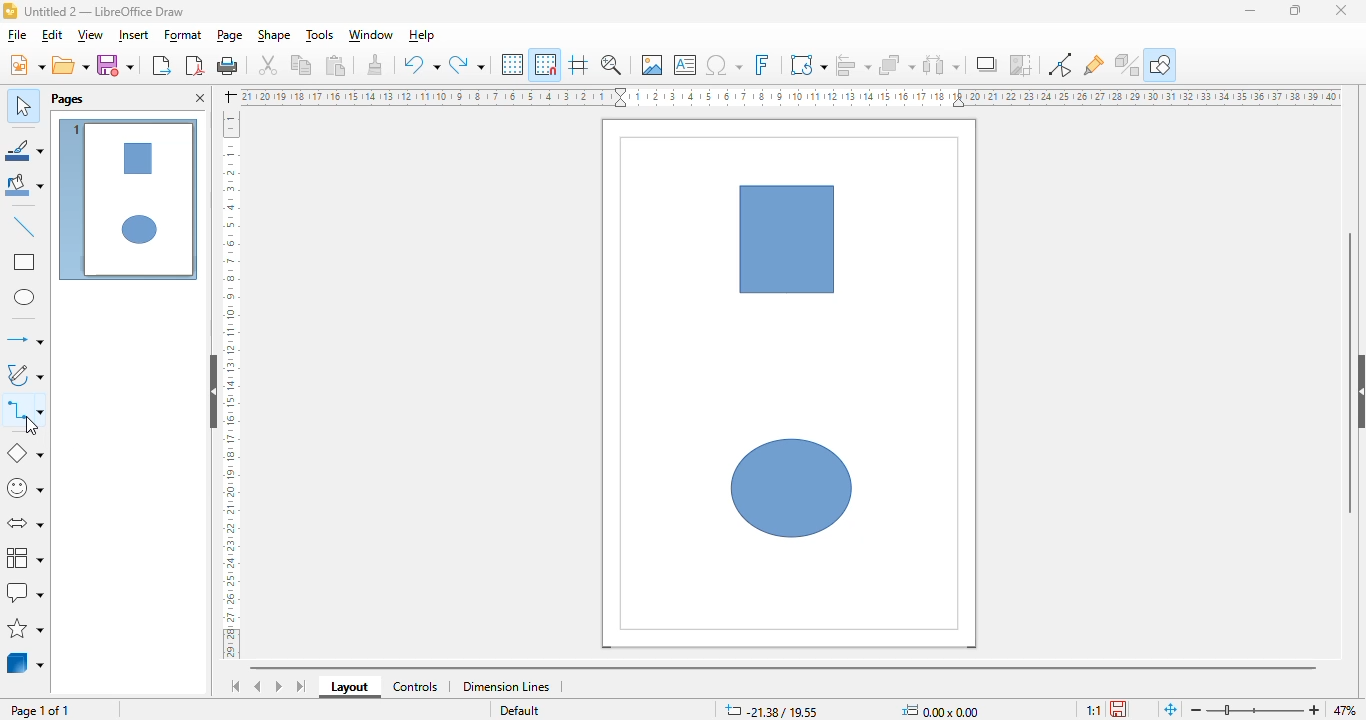  What do you see at coordinates (762, 65) in the screenshot?
I see `insert fontwork text` at bounding box center [762, 65].